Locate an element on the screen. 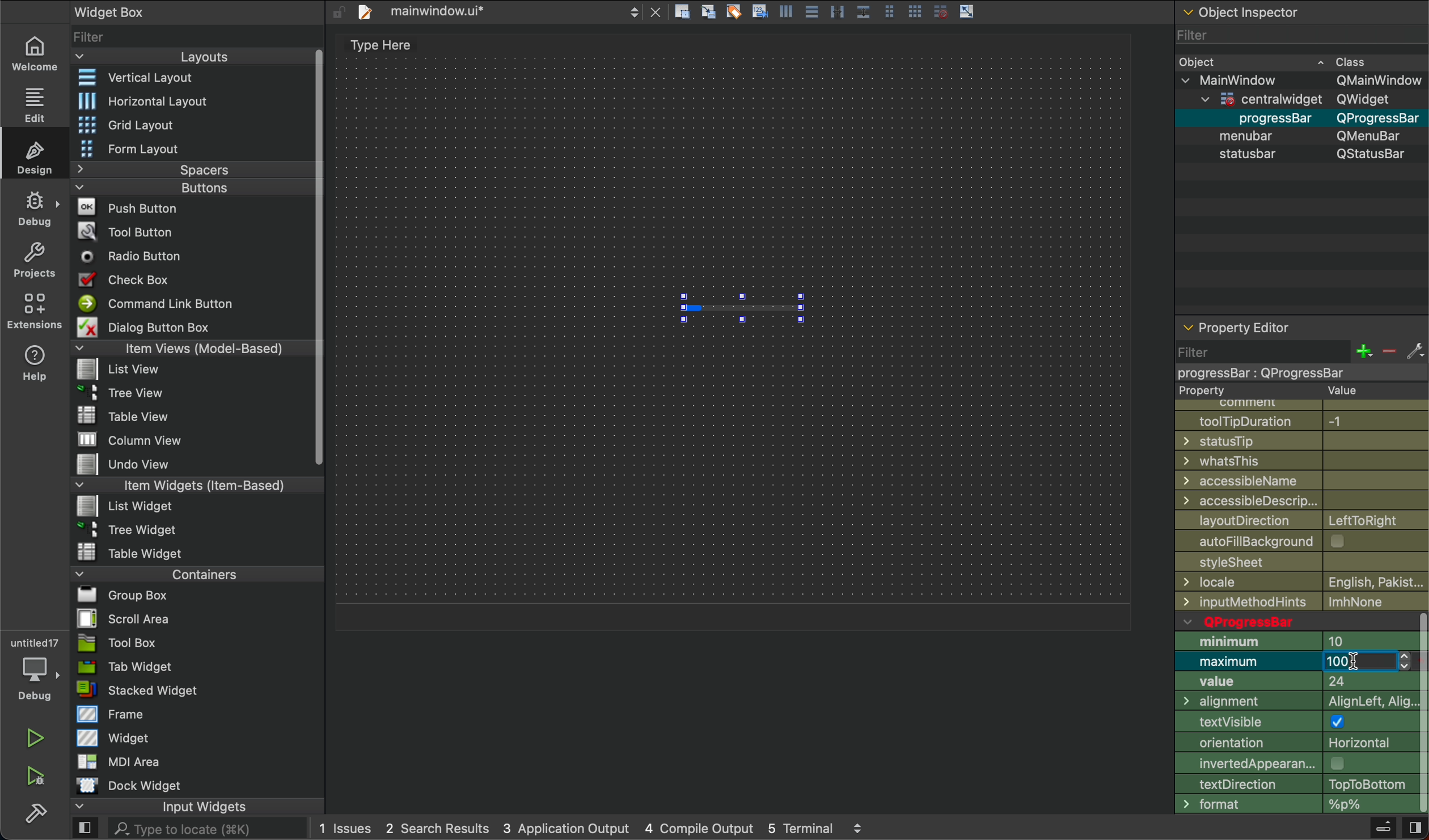 This screenshot has height=840, width=1429. statustip is located at coordinates (1303, 441).